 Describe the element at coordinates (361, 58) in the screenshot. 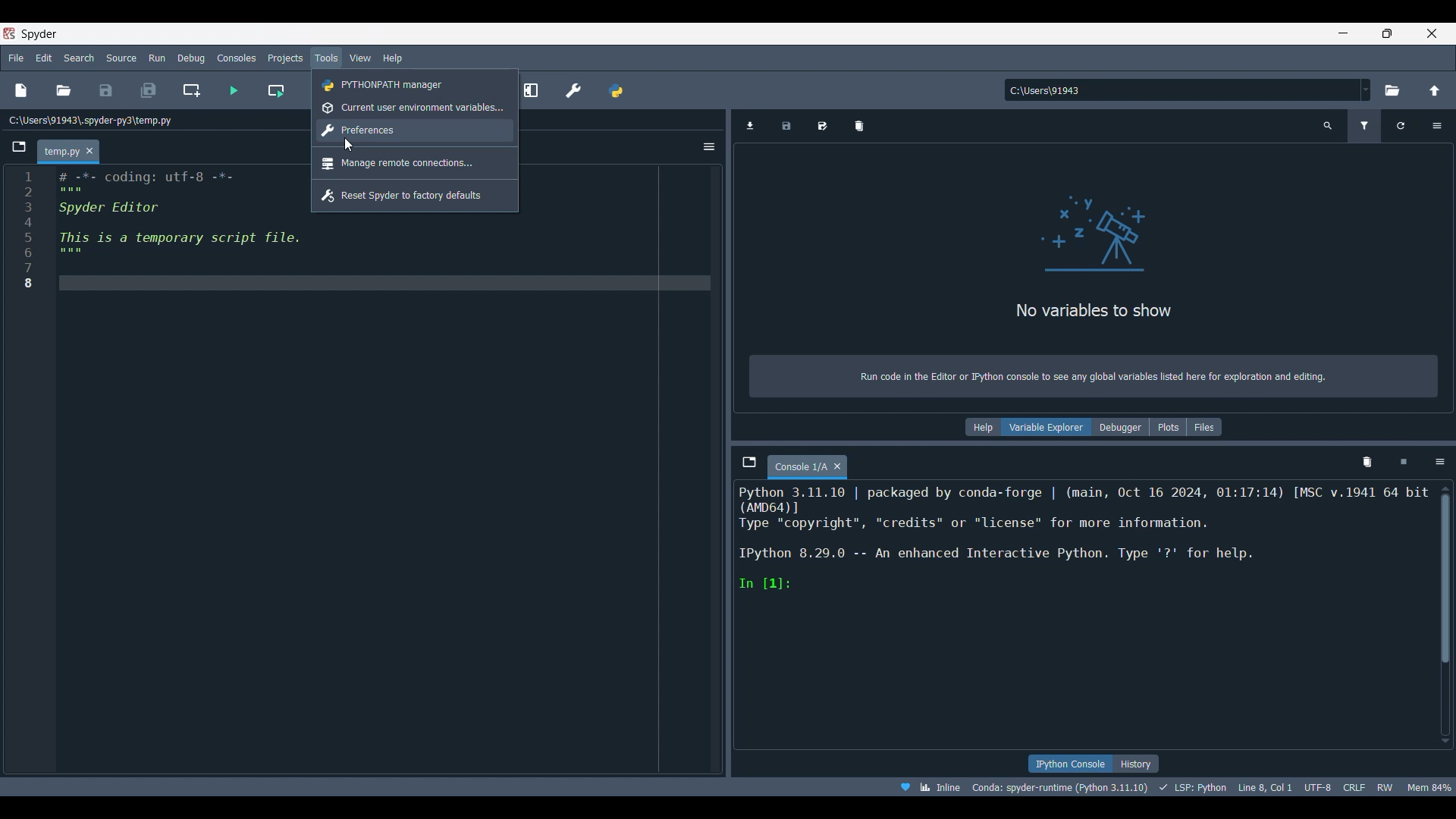

I see `View menu` at that location.